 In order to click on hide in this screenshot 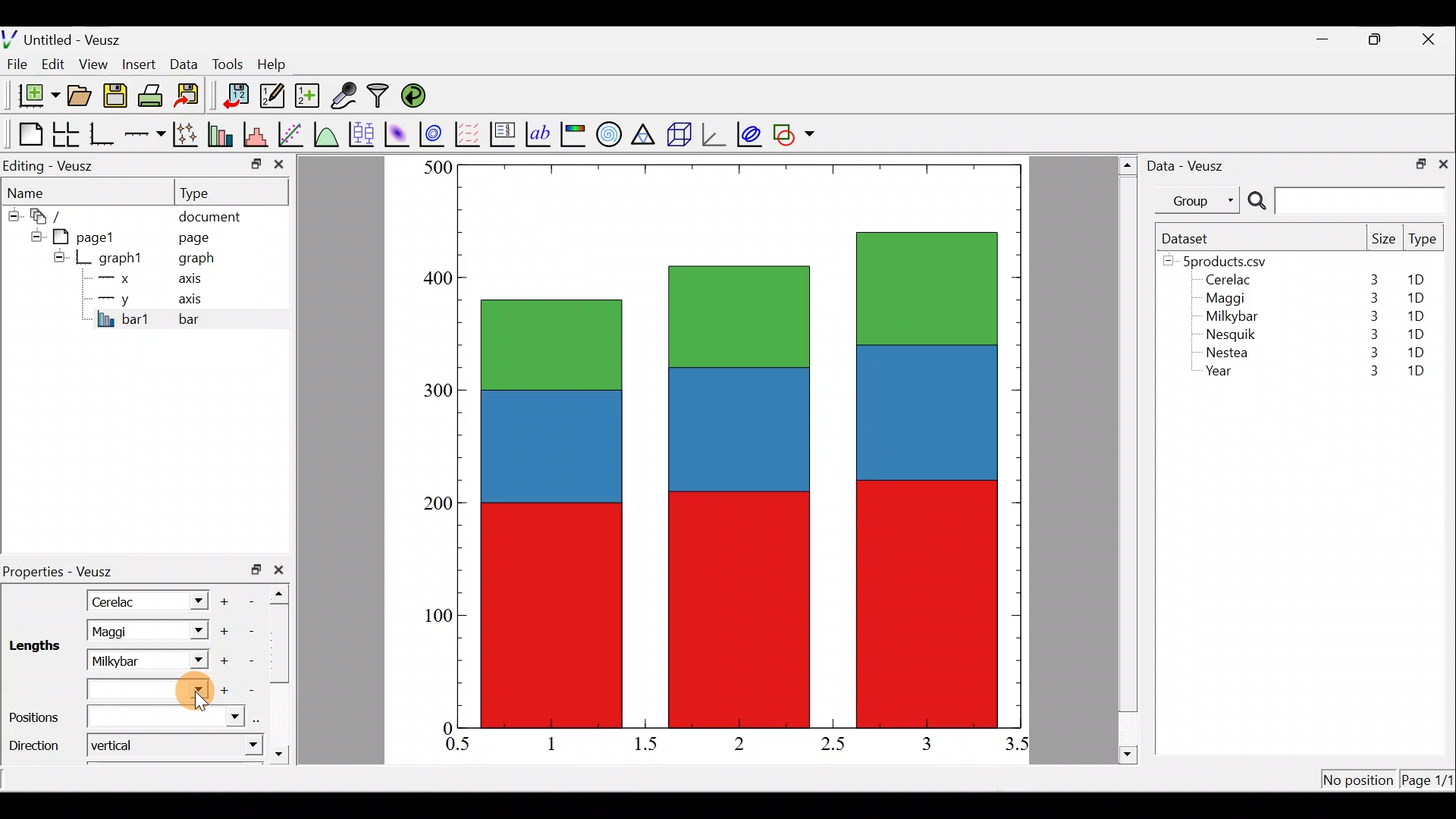, I will do `click(59, 256)`.